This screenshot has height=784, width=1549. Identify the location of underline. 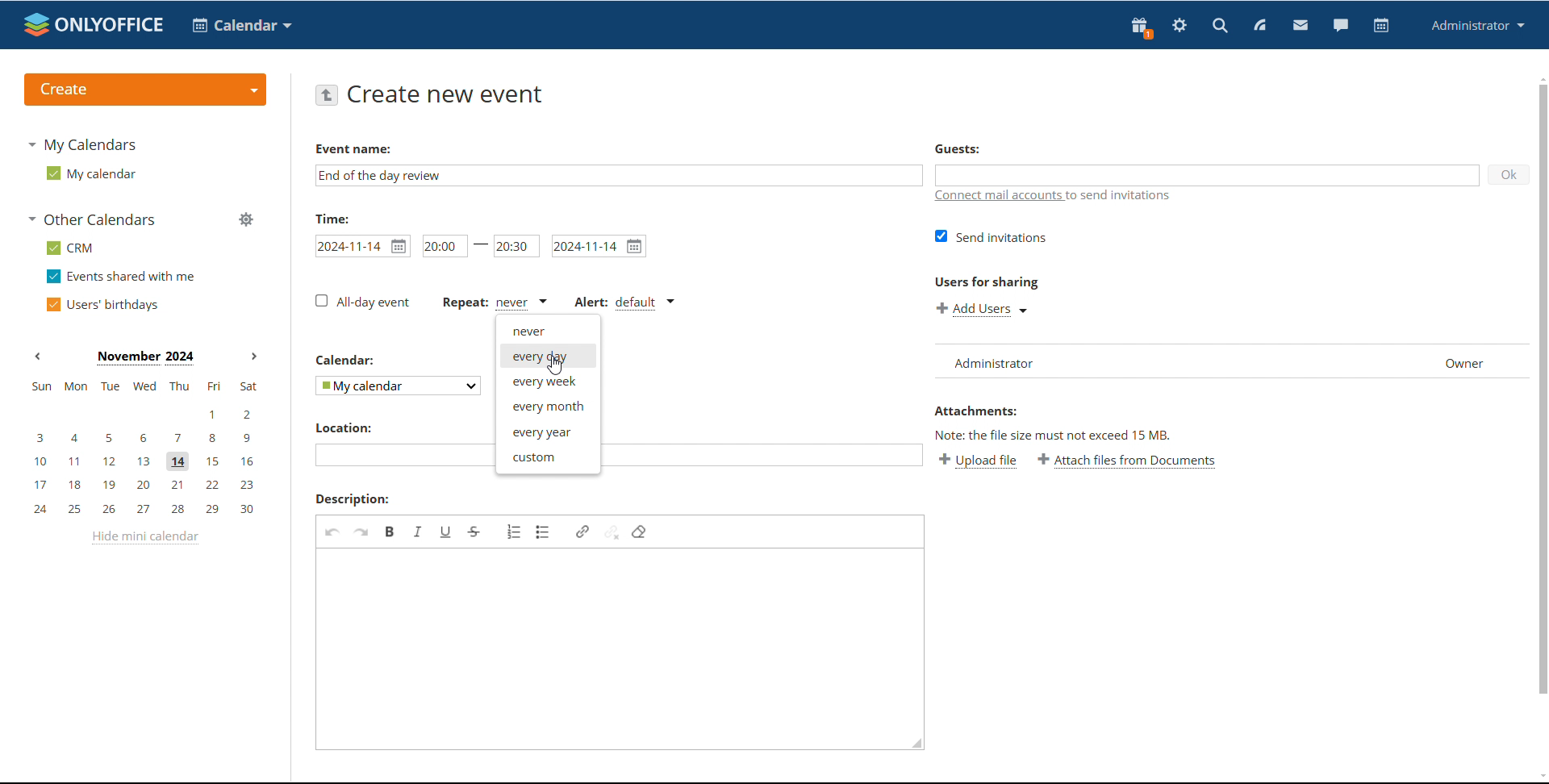
(446, 532).